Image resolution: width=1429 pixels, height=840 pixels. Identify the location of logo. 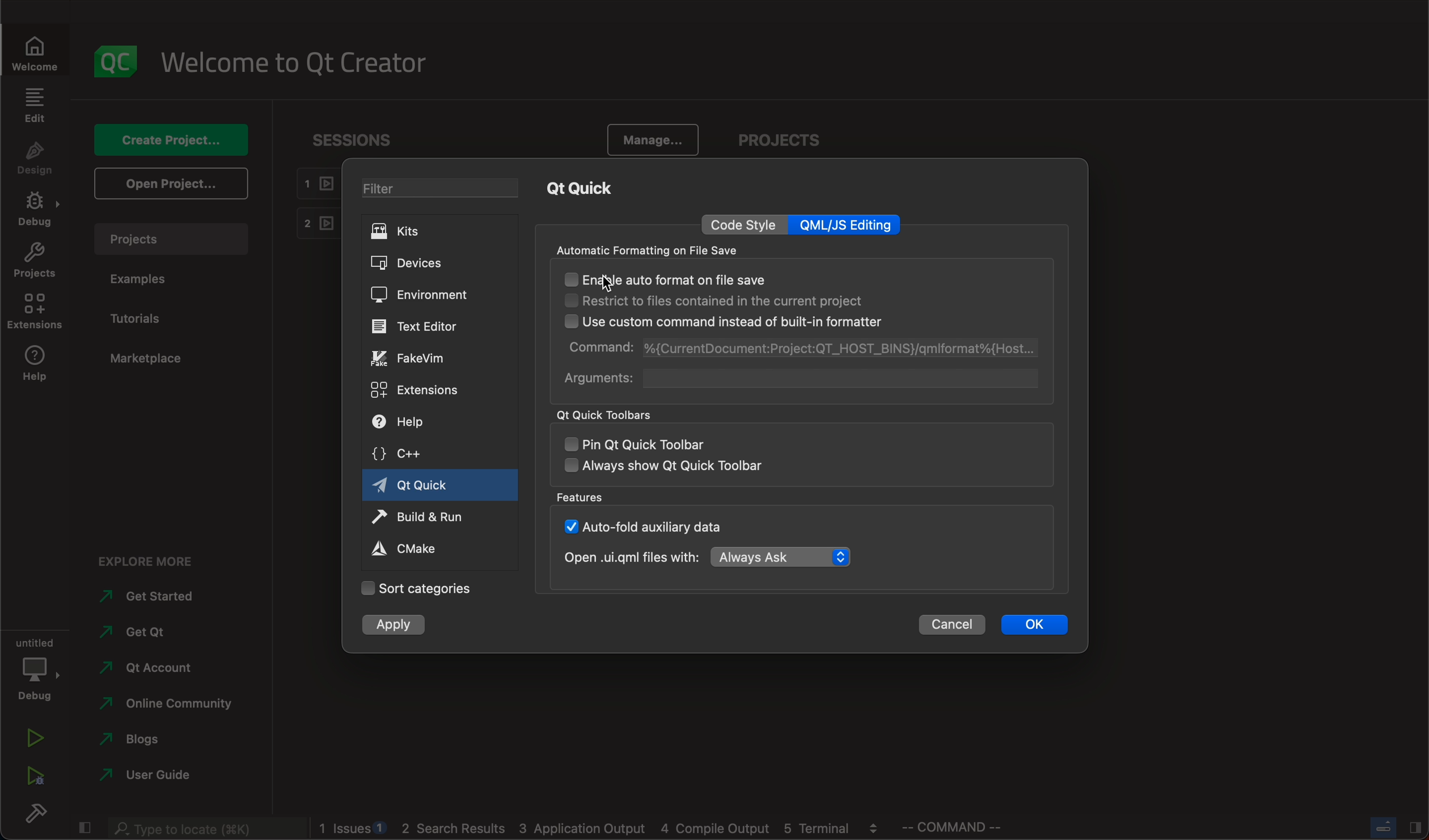
(116, 63).